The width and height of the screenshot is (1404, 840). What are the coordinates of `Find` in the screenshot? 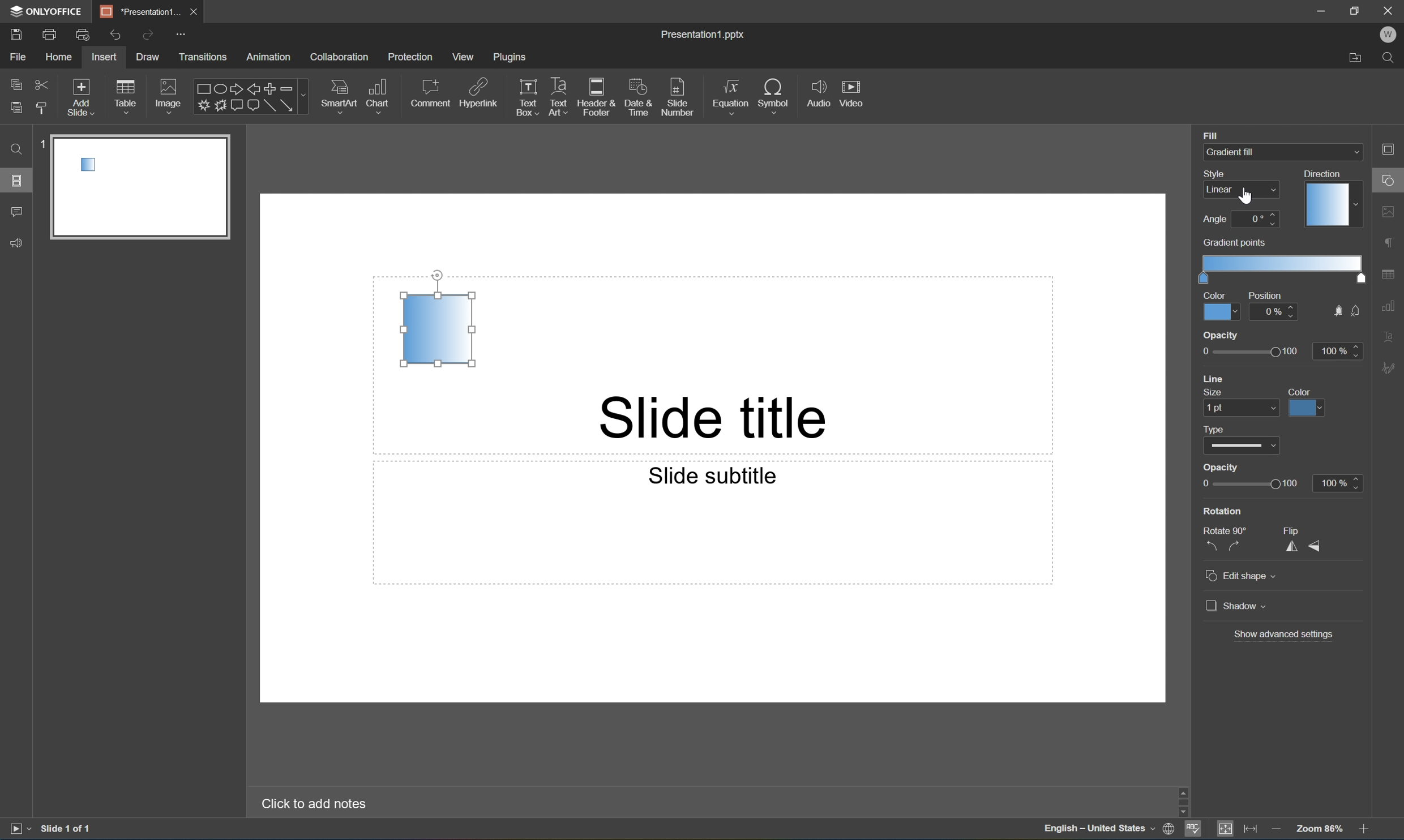 It's located at (16, 149).